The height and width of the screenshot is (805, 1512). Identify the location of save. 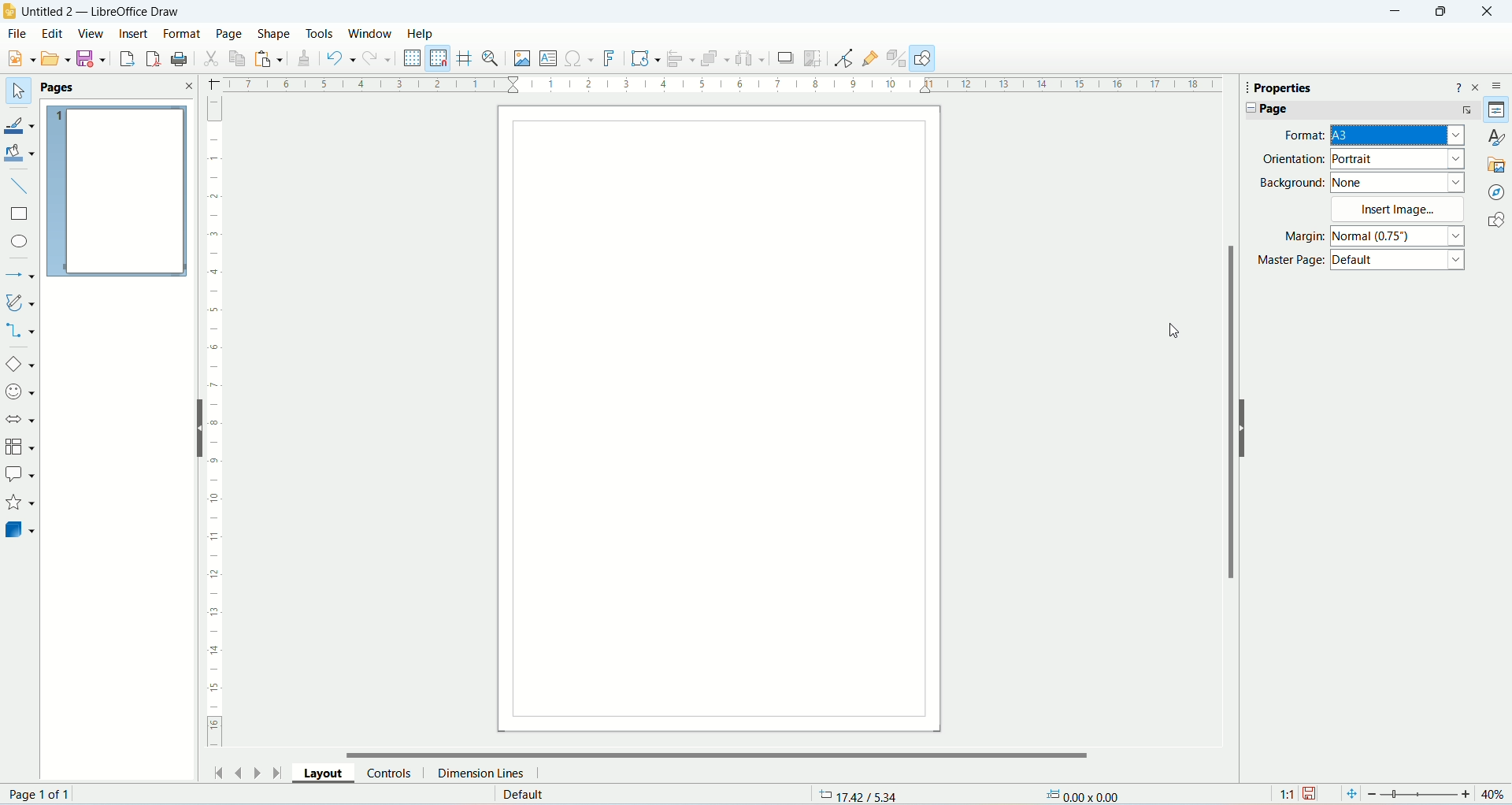
(93, 59).